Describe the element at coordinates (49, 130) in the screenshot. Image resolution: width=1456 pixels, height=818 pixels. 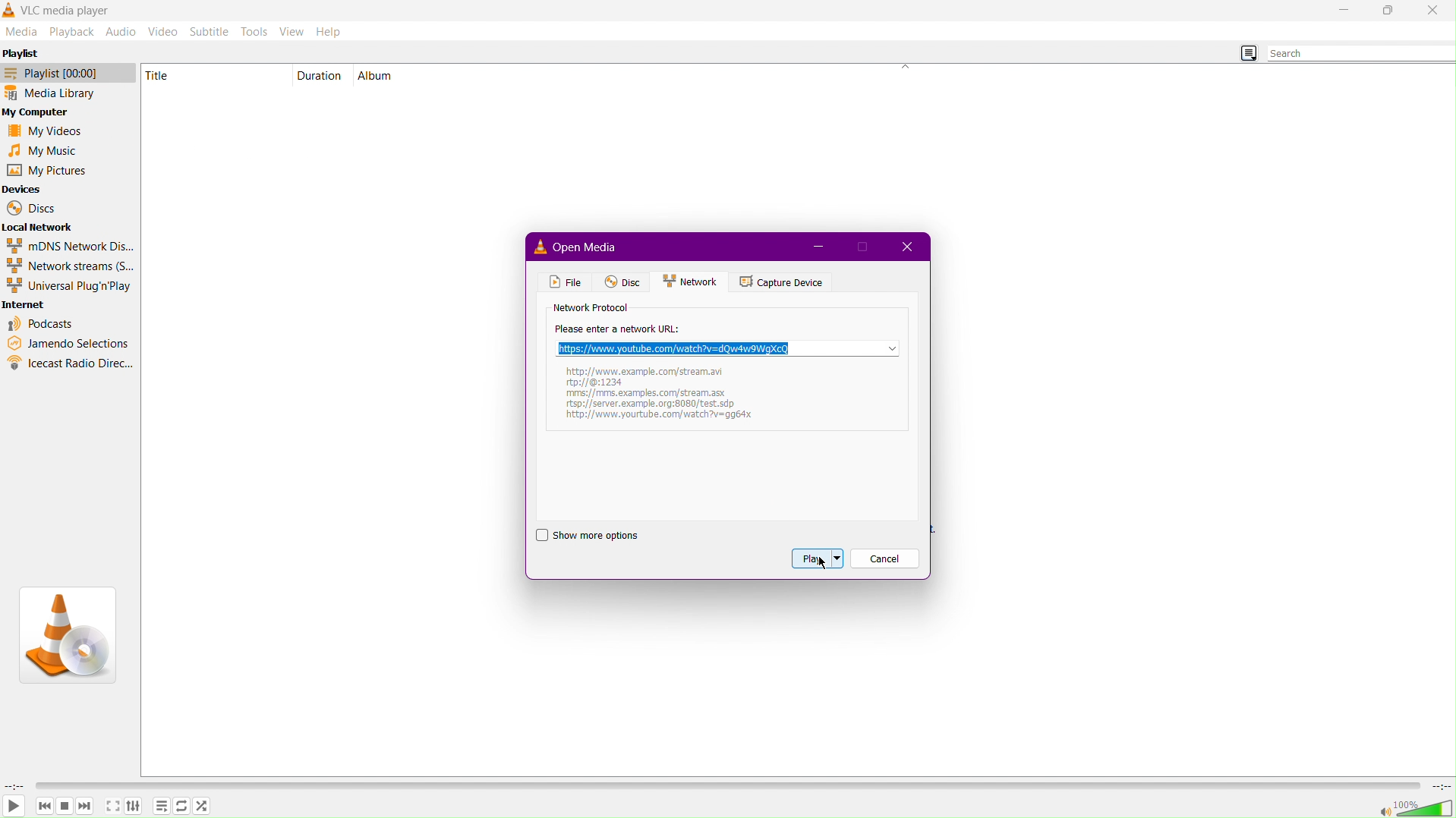
I see `My Videos` at that location.